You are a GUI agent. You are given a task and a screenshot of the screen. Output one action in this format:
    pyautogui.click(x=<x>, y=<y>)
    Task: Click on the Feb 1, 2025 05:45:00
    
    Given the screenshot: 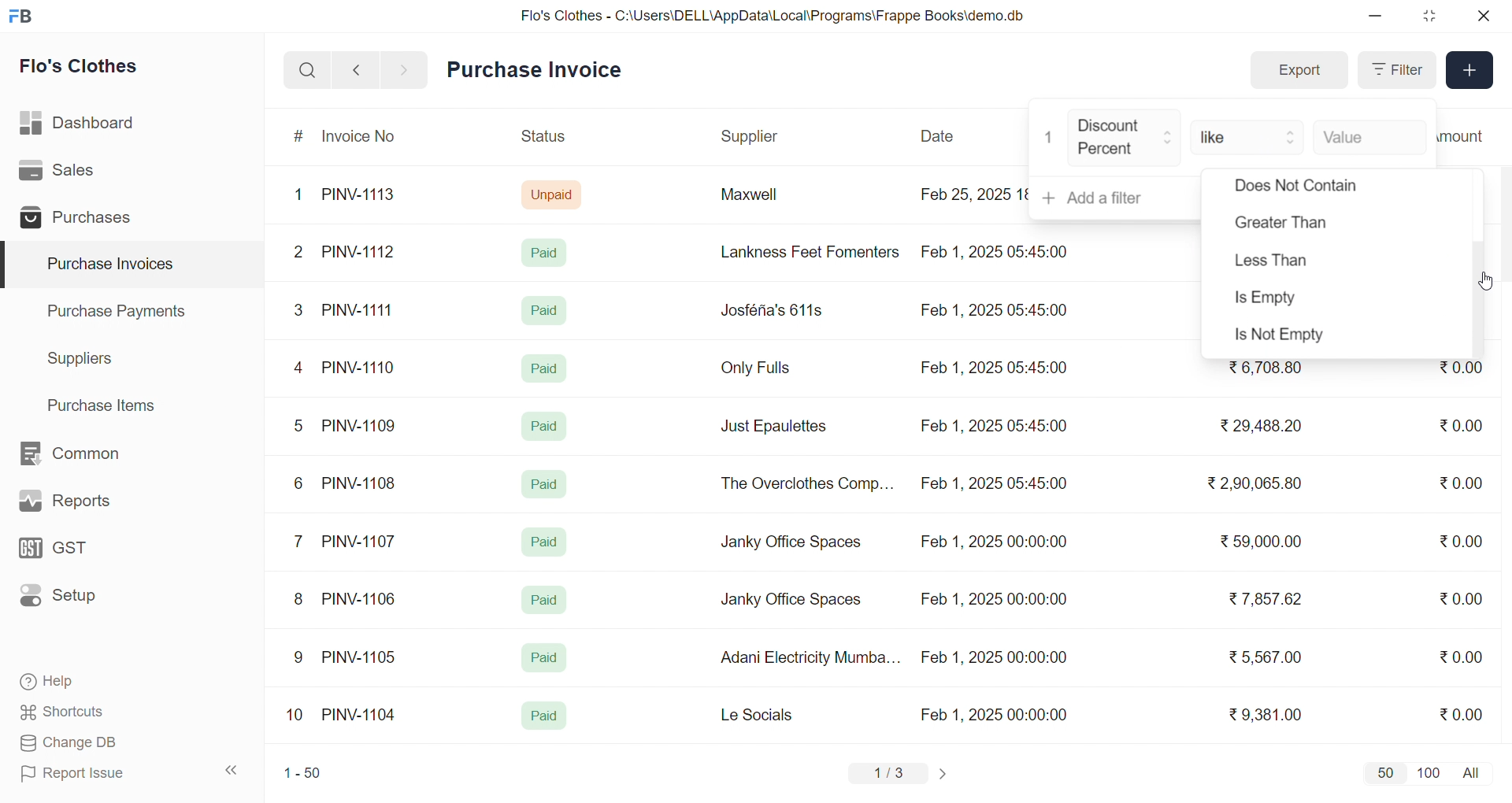 What is the action you would take?
    pyautogui.click(x=996, y=485)
    